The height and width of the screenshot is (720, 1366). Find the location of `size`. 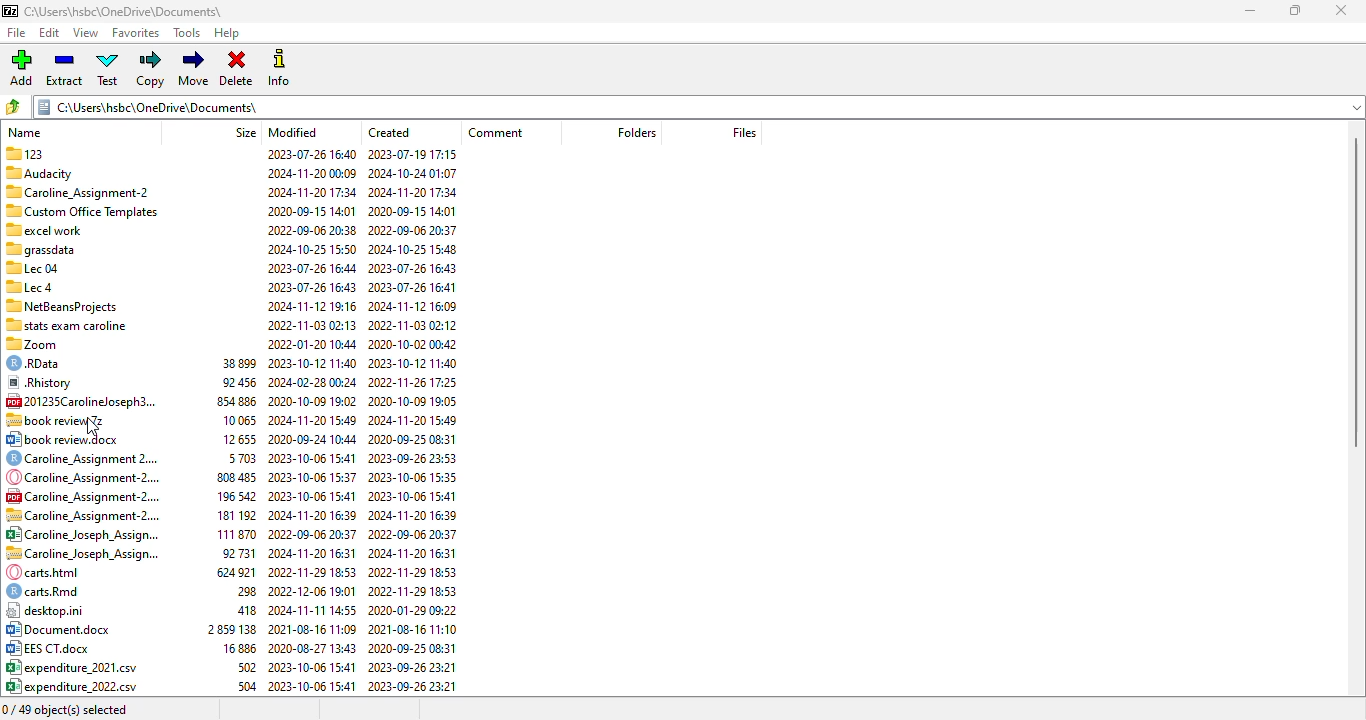

size is located at coordinates (231, 525).